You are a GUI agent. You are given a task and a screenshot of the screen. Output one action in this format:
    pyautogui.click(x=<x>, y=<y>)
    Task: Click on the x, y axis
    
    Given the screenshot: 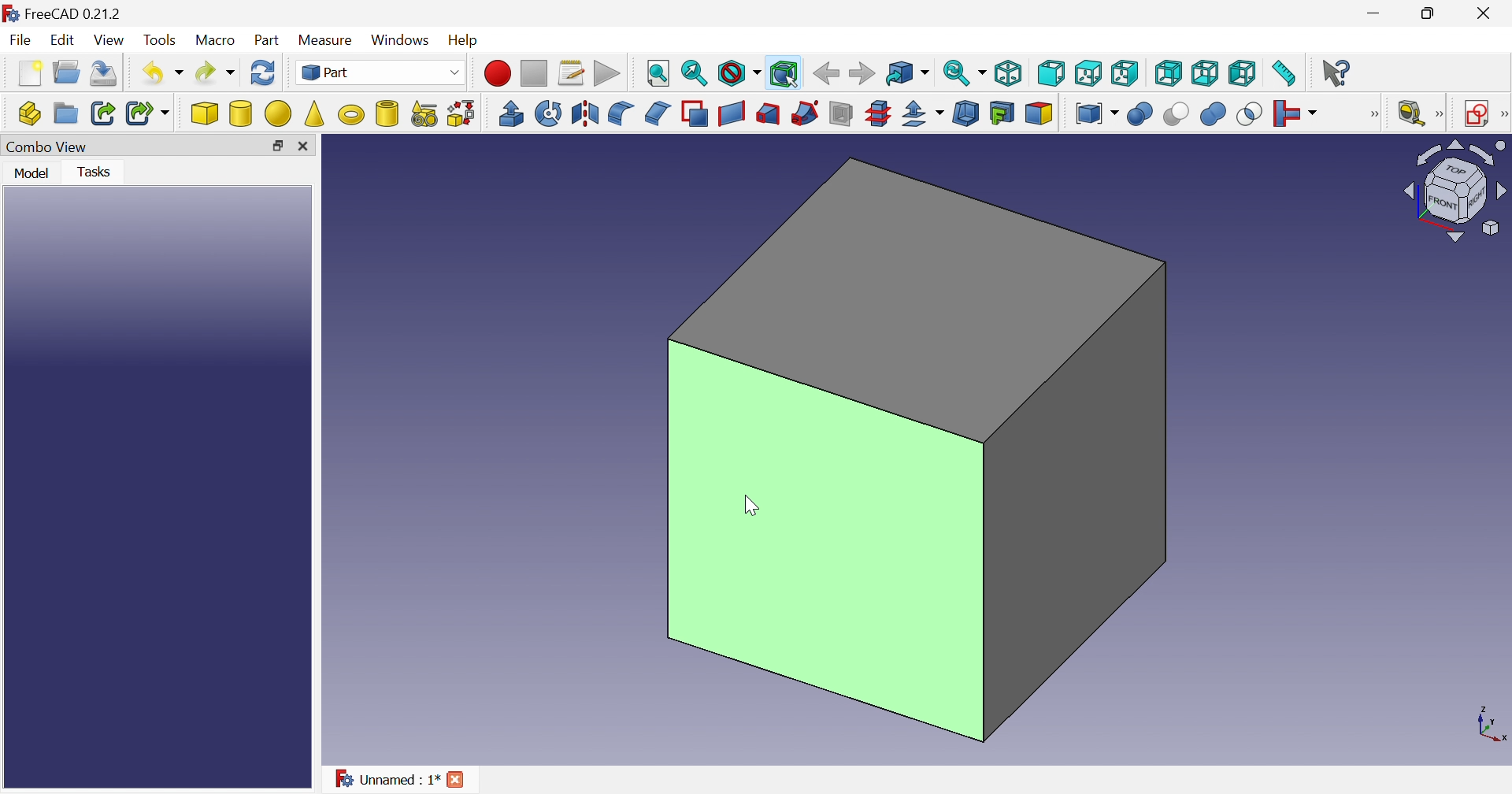 What is the action you would take?
    pyautogui.click(x=1488, y=724)
    